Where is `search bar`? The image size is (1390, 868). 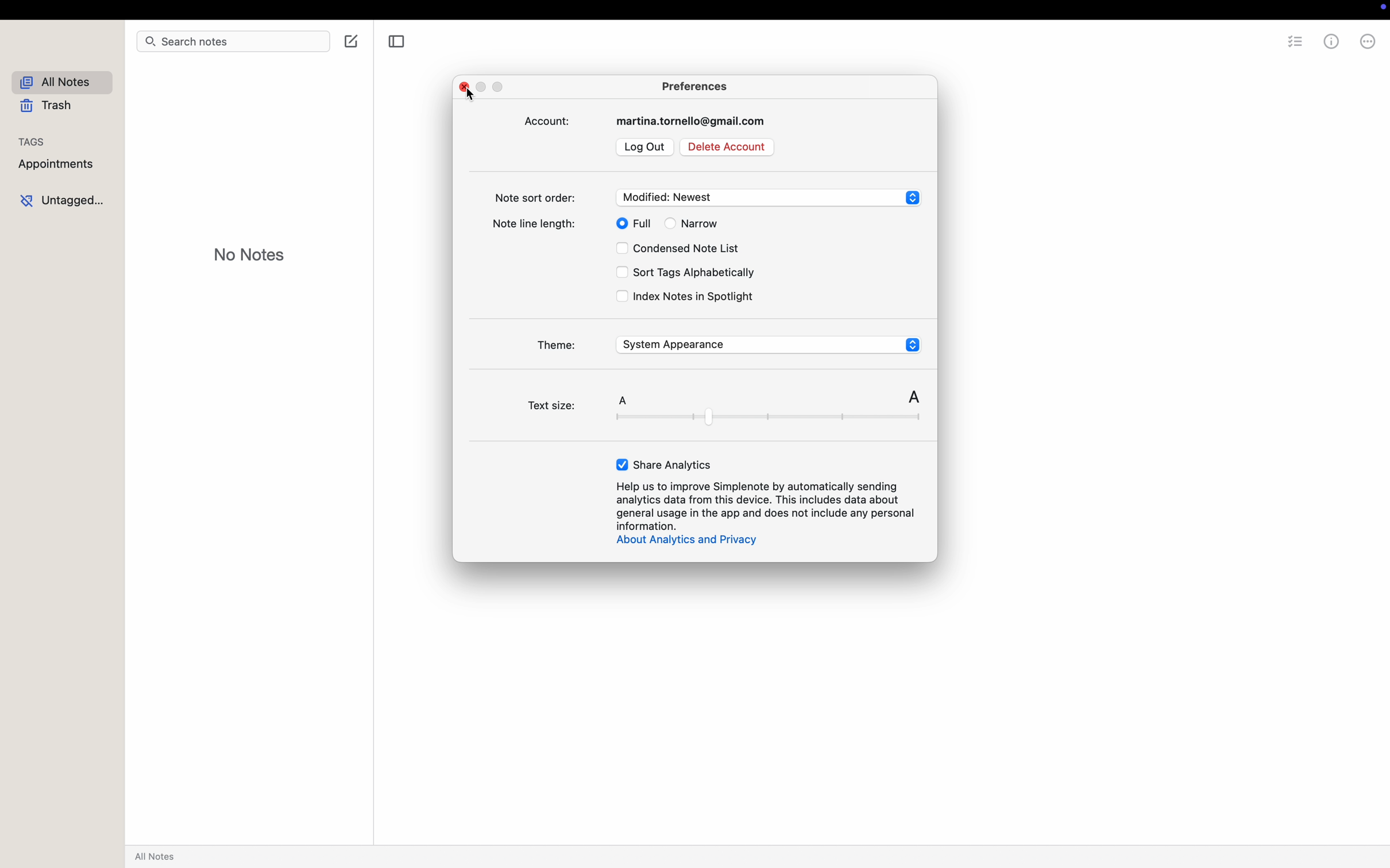
search bar is located at coordinates (233, 43).